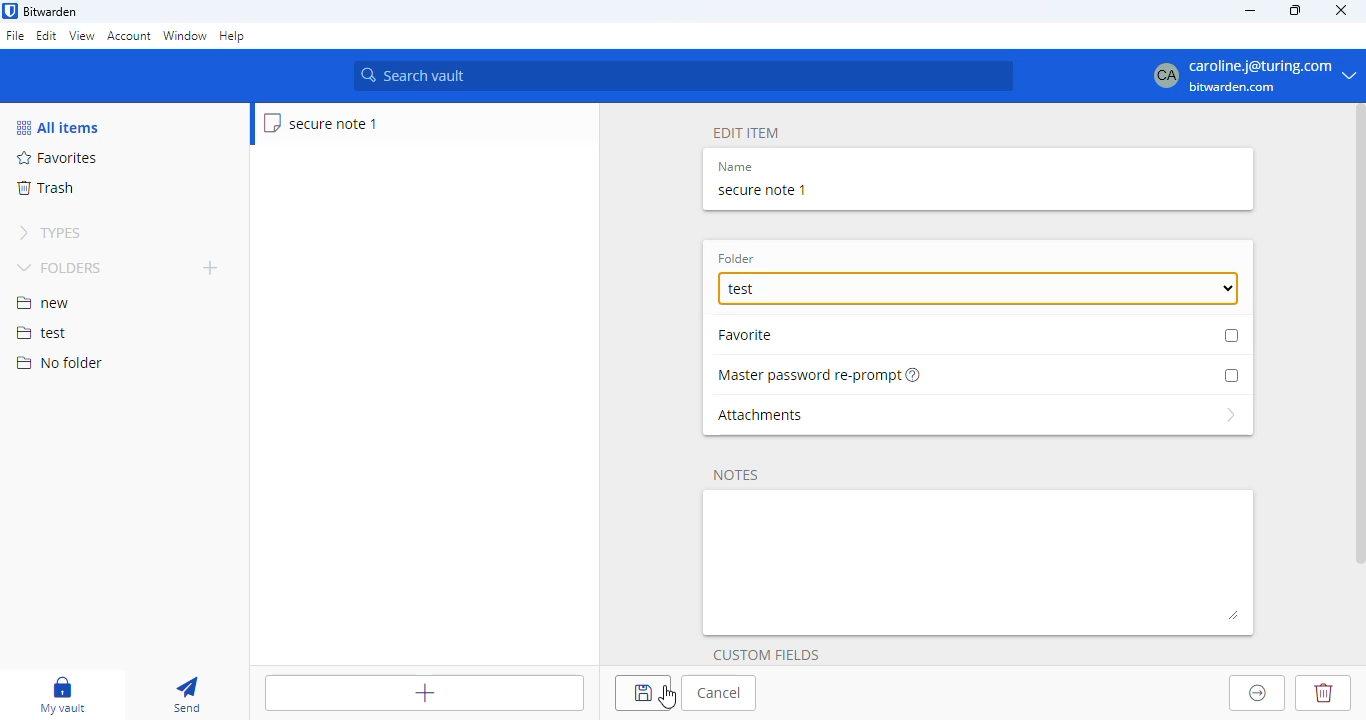 This screenshot has height=720, width=1366. Describe the element at coordinates (1357, 337) in the screenshot. I see `vertical scroll bar` at that location.